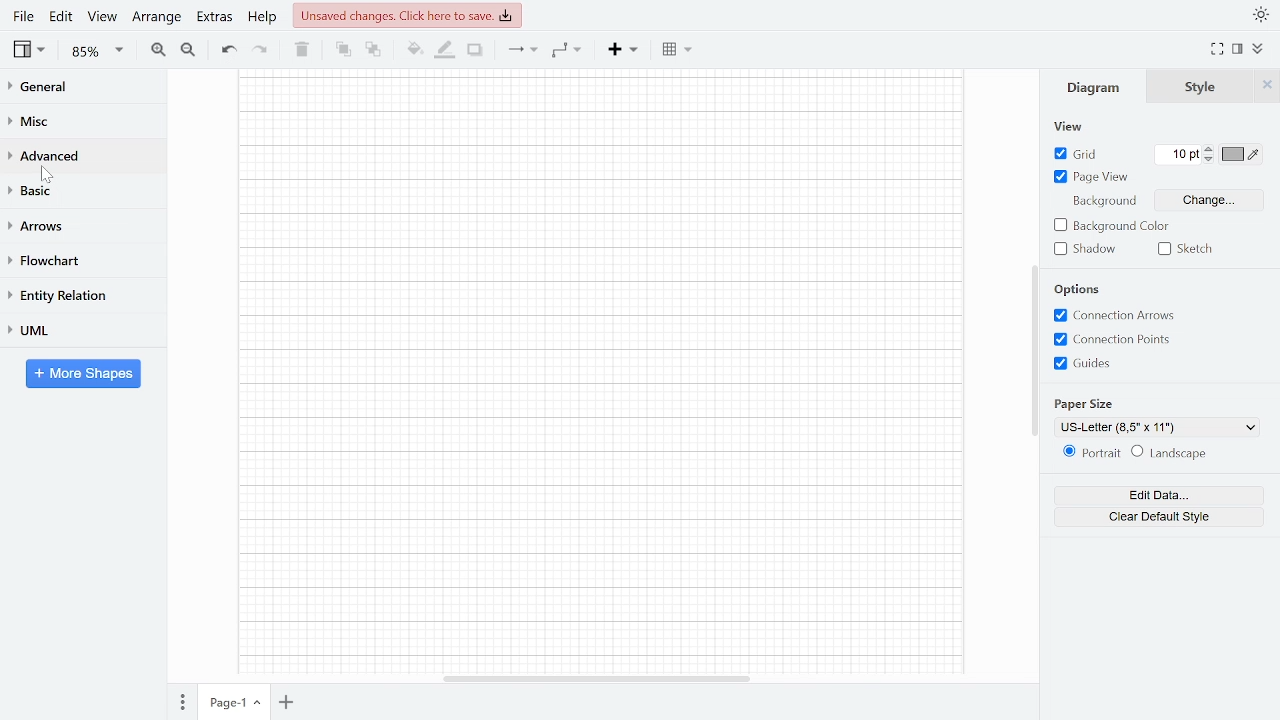 This screenshot has width=1280, height=720. I want to click on More shapes, so click(83, 374).